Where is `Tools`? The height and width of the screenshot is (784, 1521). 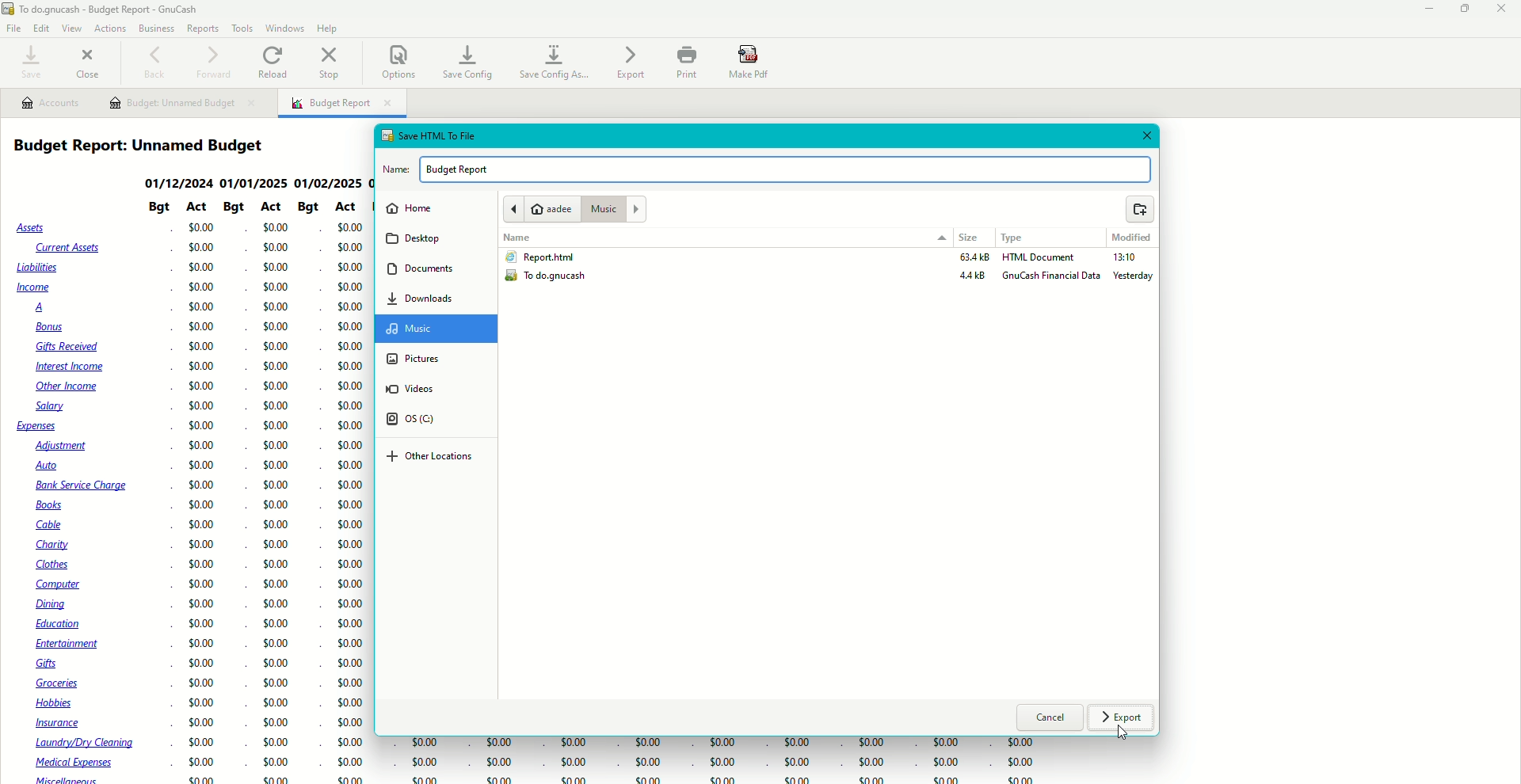
Tools is located at coordinates (240, 28).